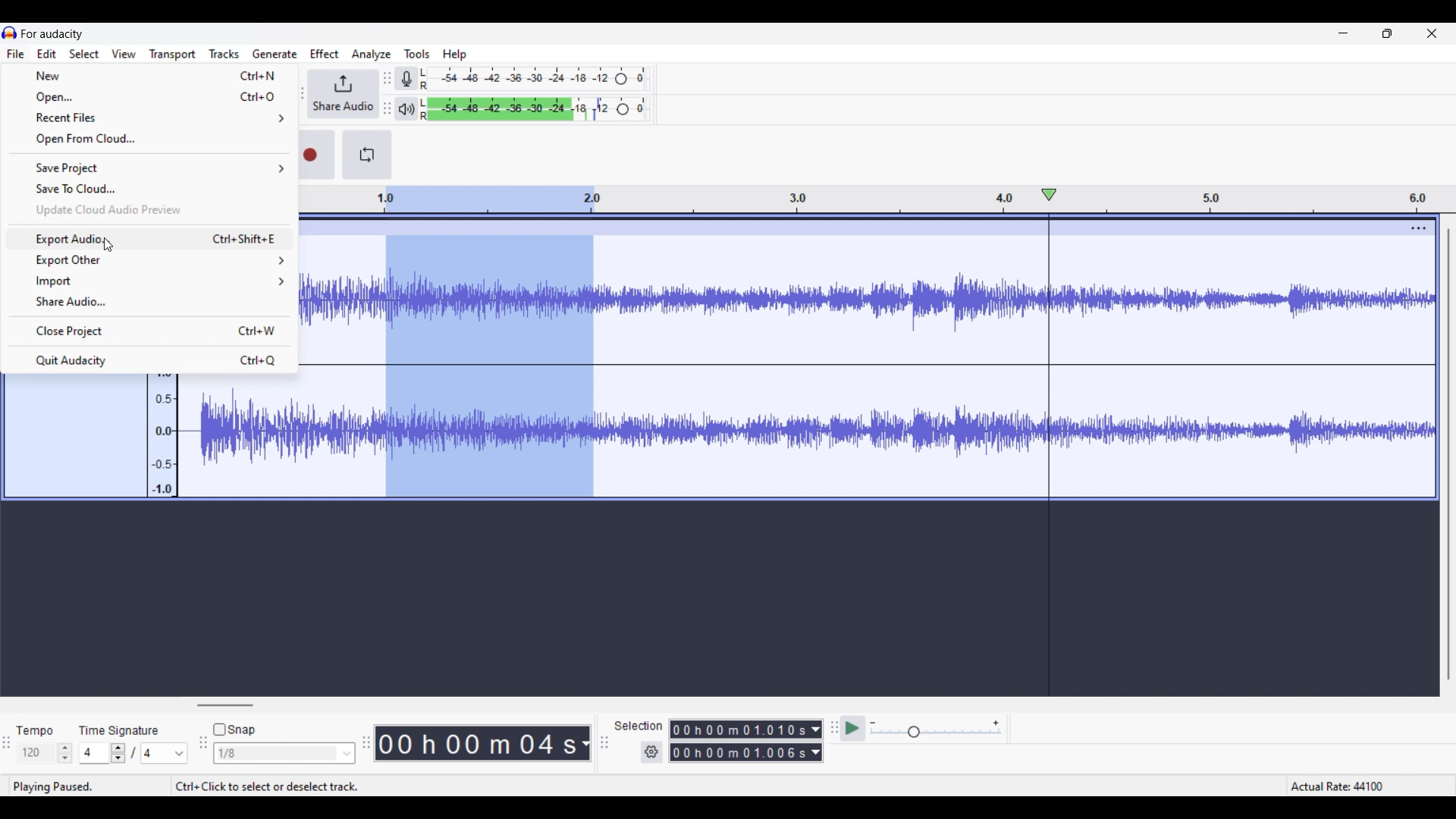  Describe the element at coordinates (148, 97) in the screenshot. I see `Open` at that location.